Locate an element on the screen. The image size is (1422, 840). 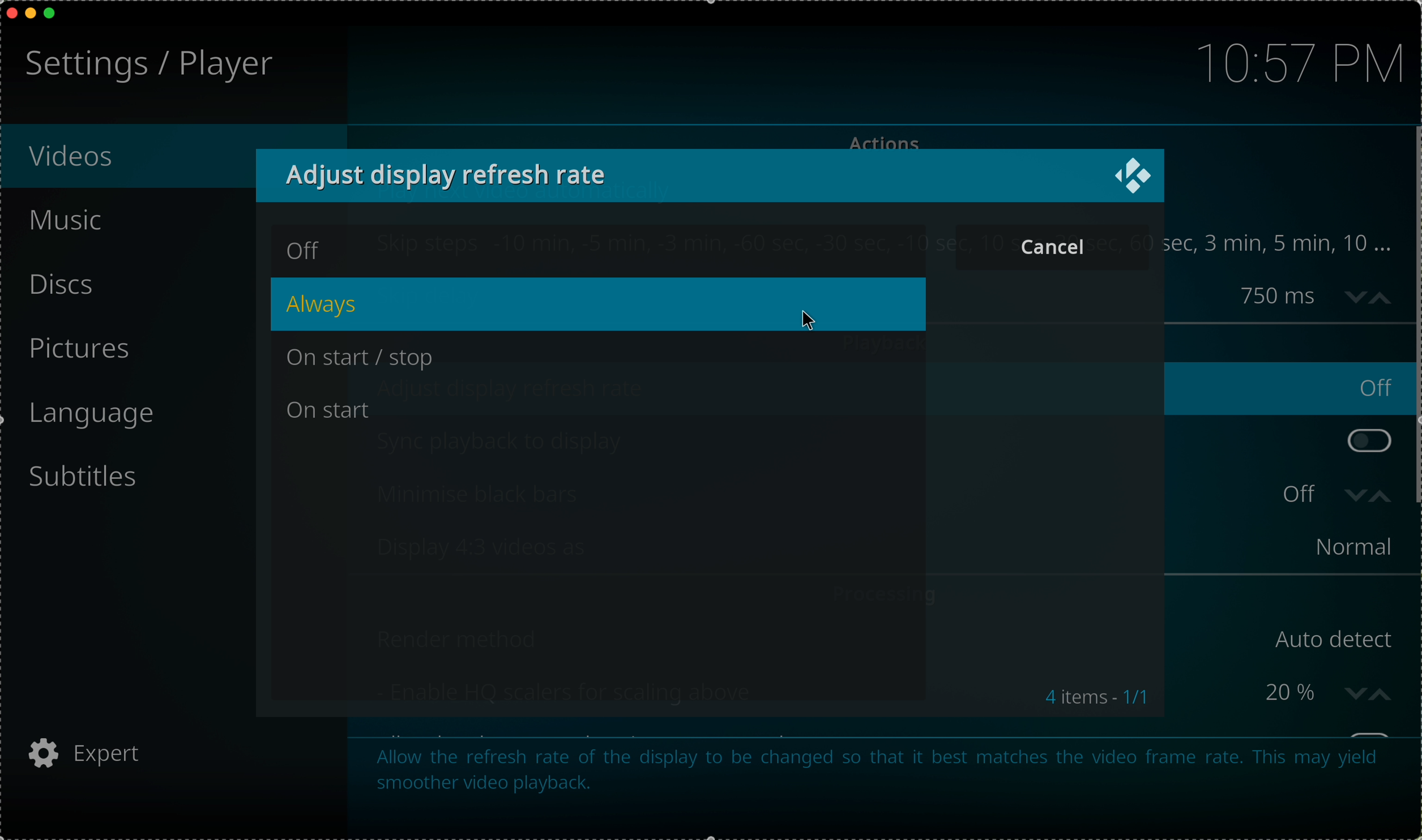
on start / stop is located at coordinates (366, 360).